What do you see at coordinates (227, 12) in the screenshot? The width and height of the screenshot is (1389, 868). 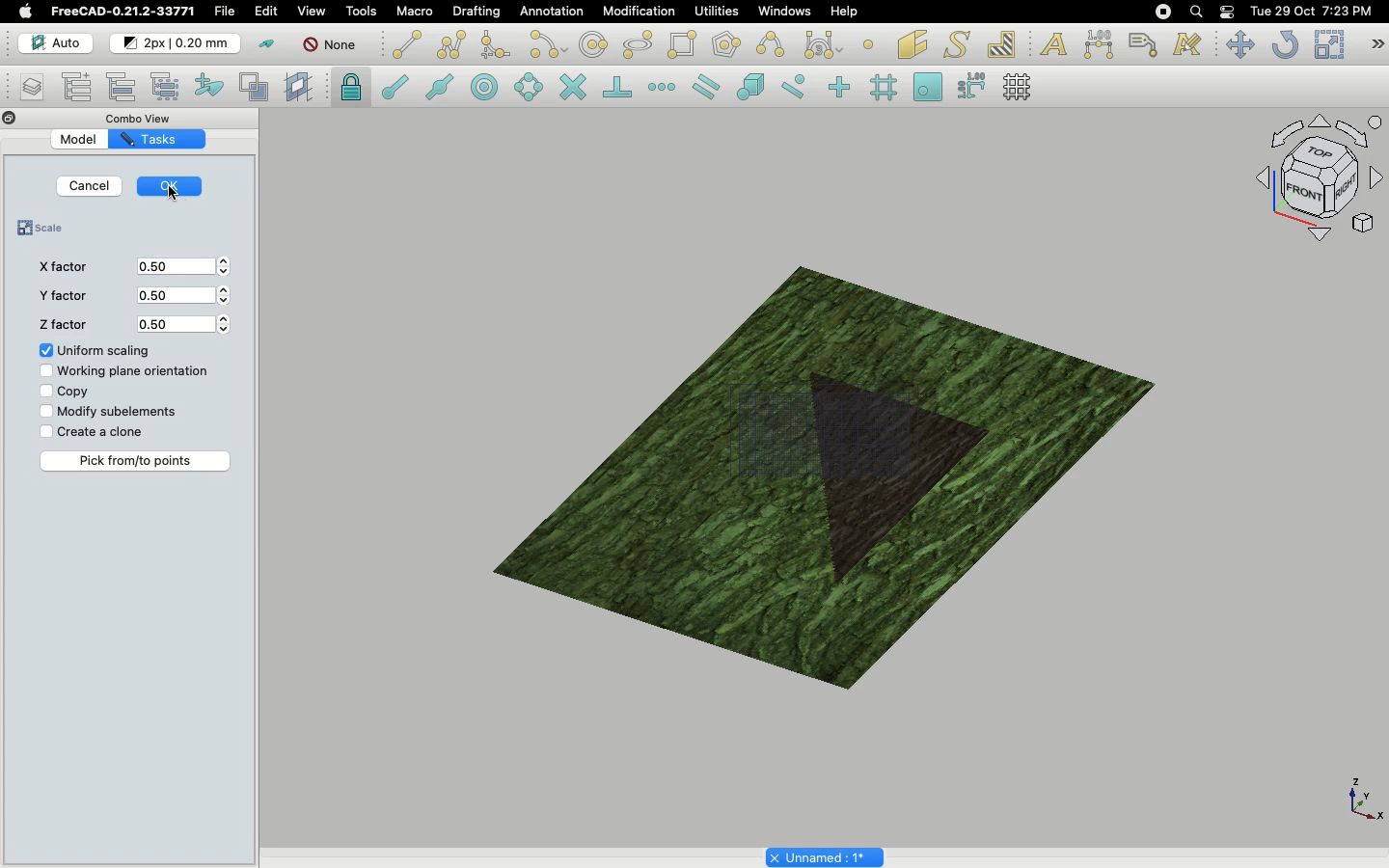 I see `File` at bounding box center [227, 12].